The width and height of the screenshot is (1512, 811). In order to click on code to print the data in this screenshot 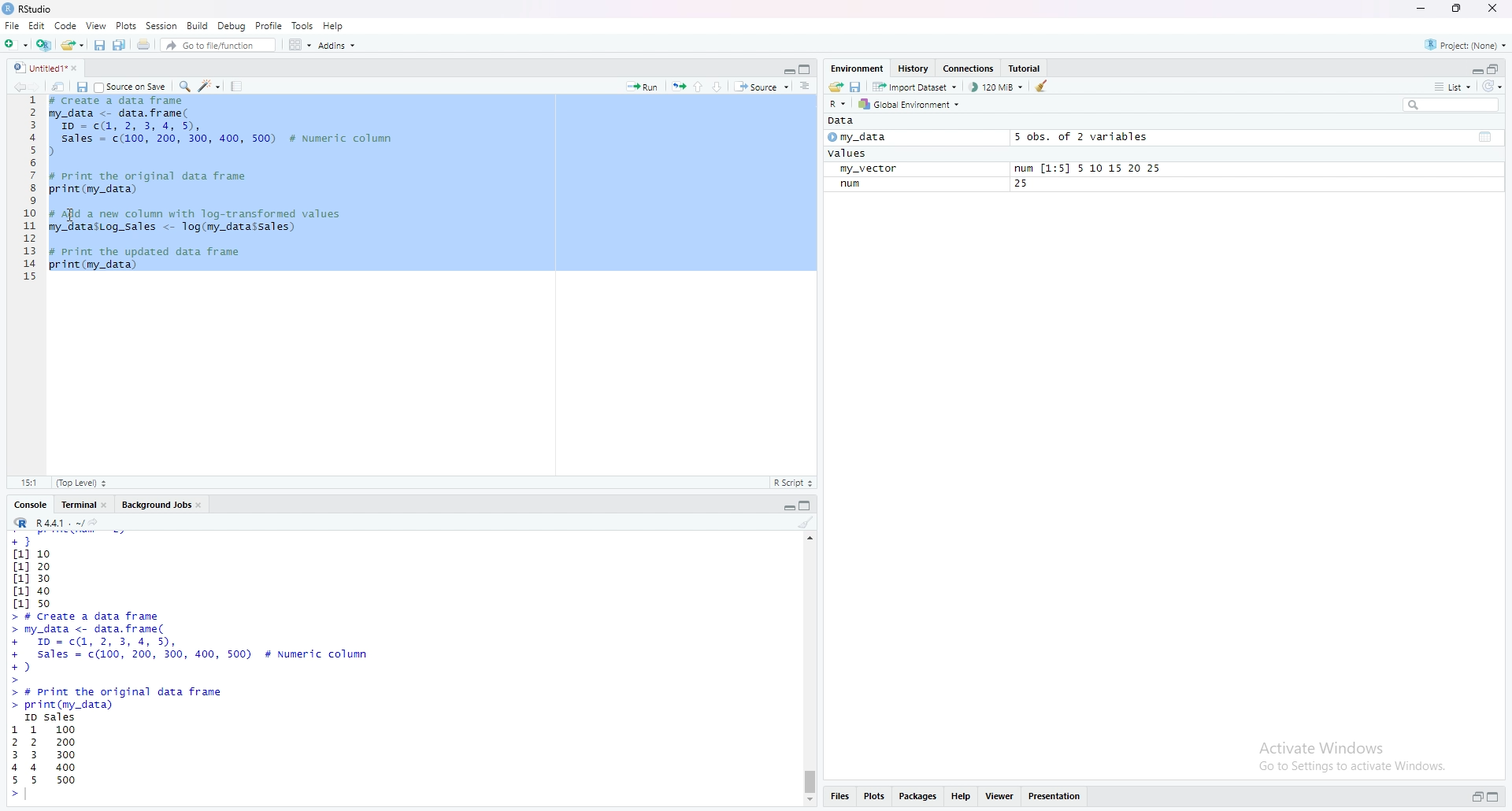, I will do `click(148, 258)`.